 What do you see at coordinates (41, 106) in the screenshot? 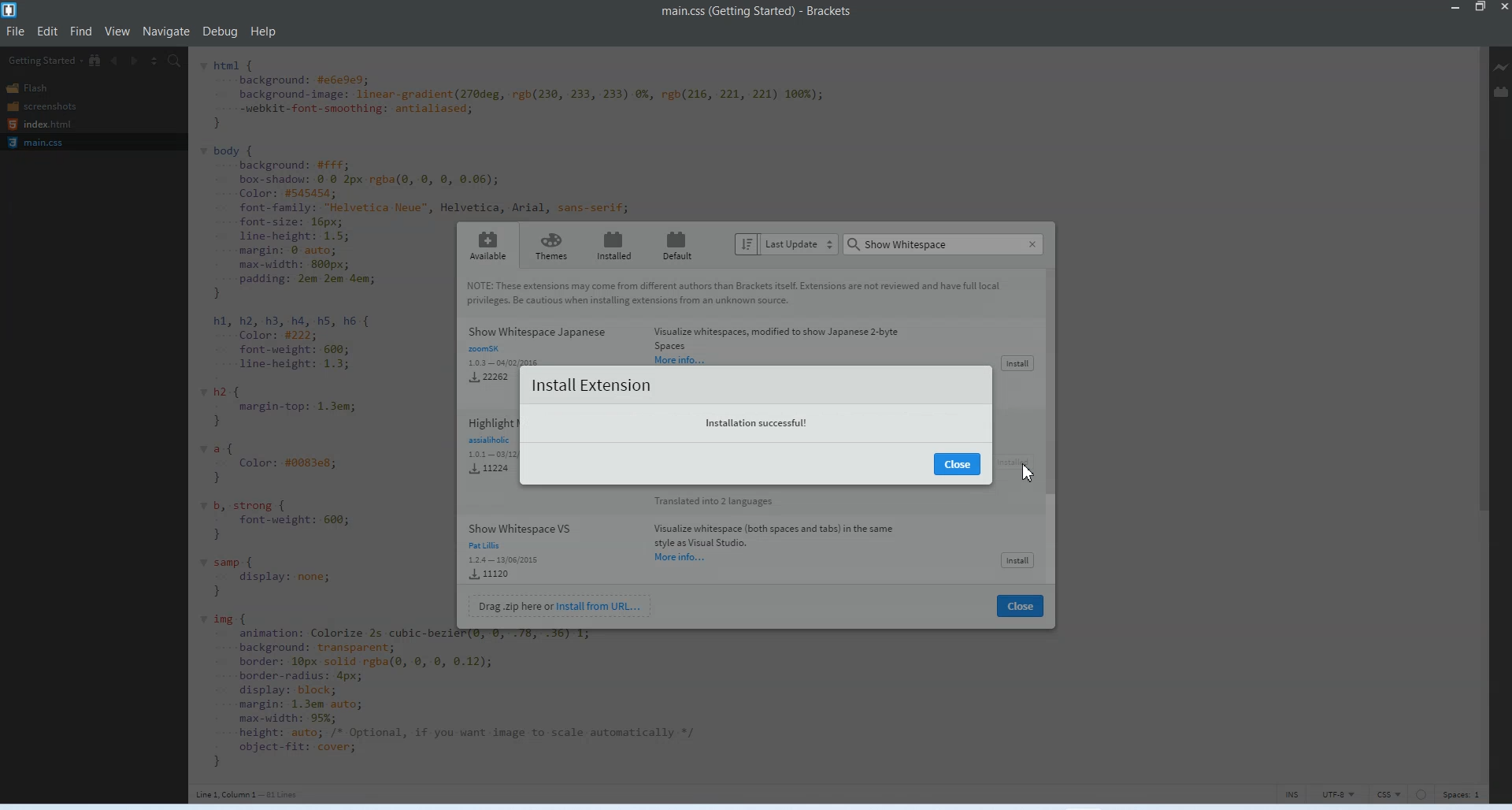
I see `Screenshots` at bounding box center [41, 106].